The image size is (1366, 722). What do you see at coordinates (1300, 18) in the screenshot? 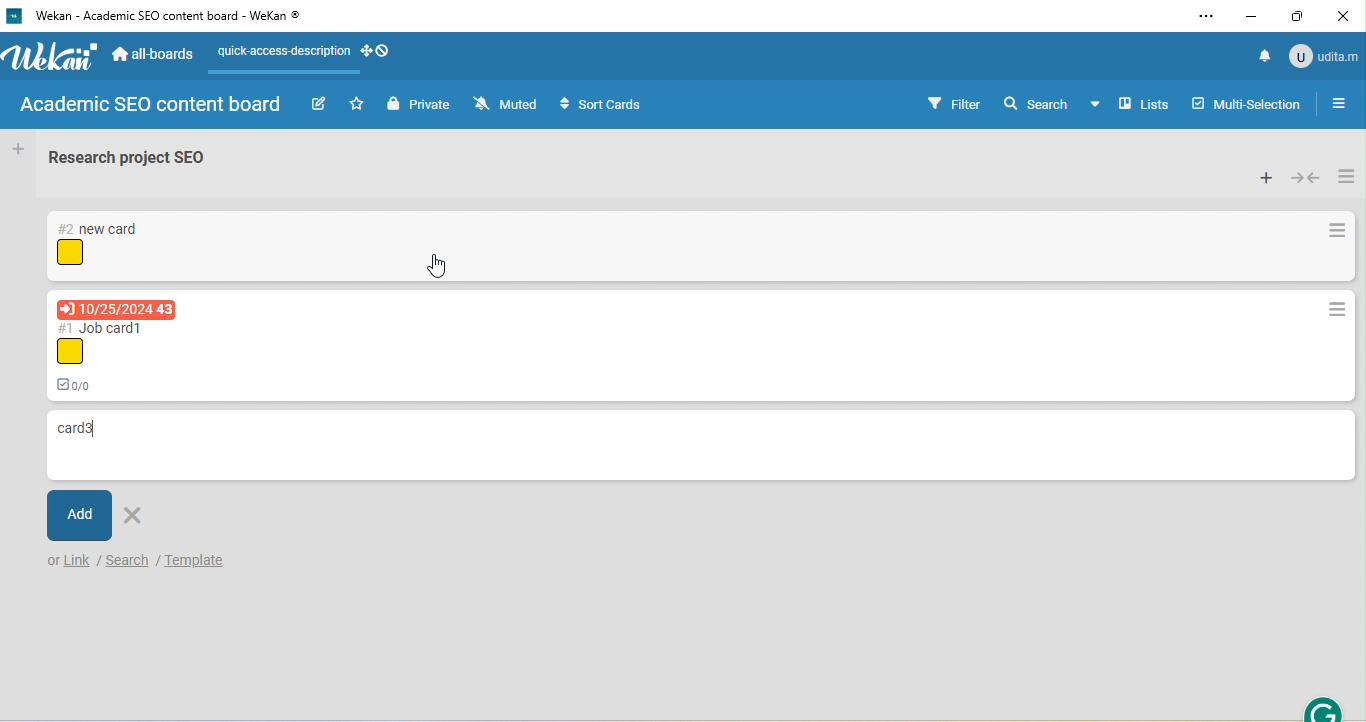
I see `maximize` at bounding box center [1300, 18].